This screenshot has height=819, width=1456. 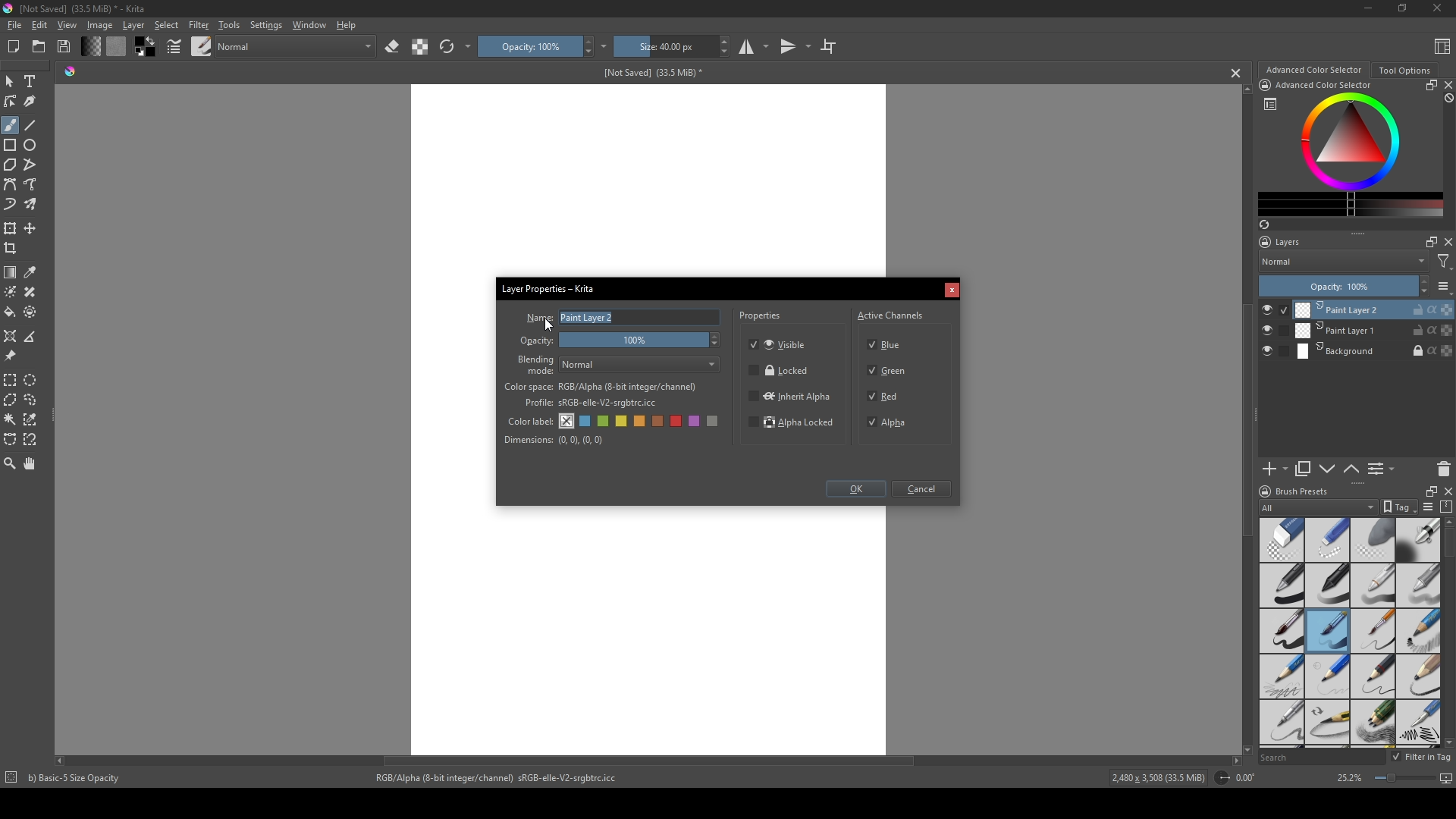 What do you see at coordinates (11, 48) in the screenshot?
I see `New file` at bounding box center [11, 48].